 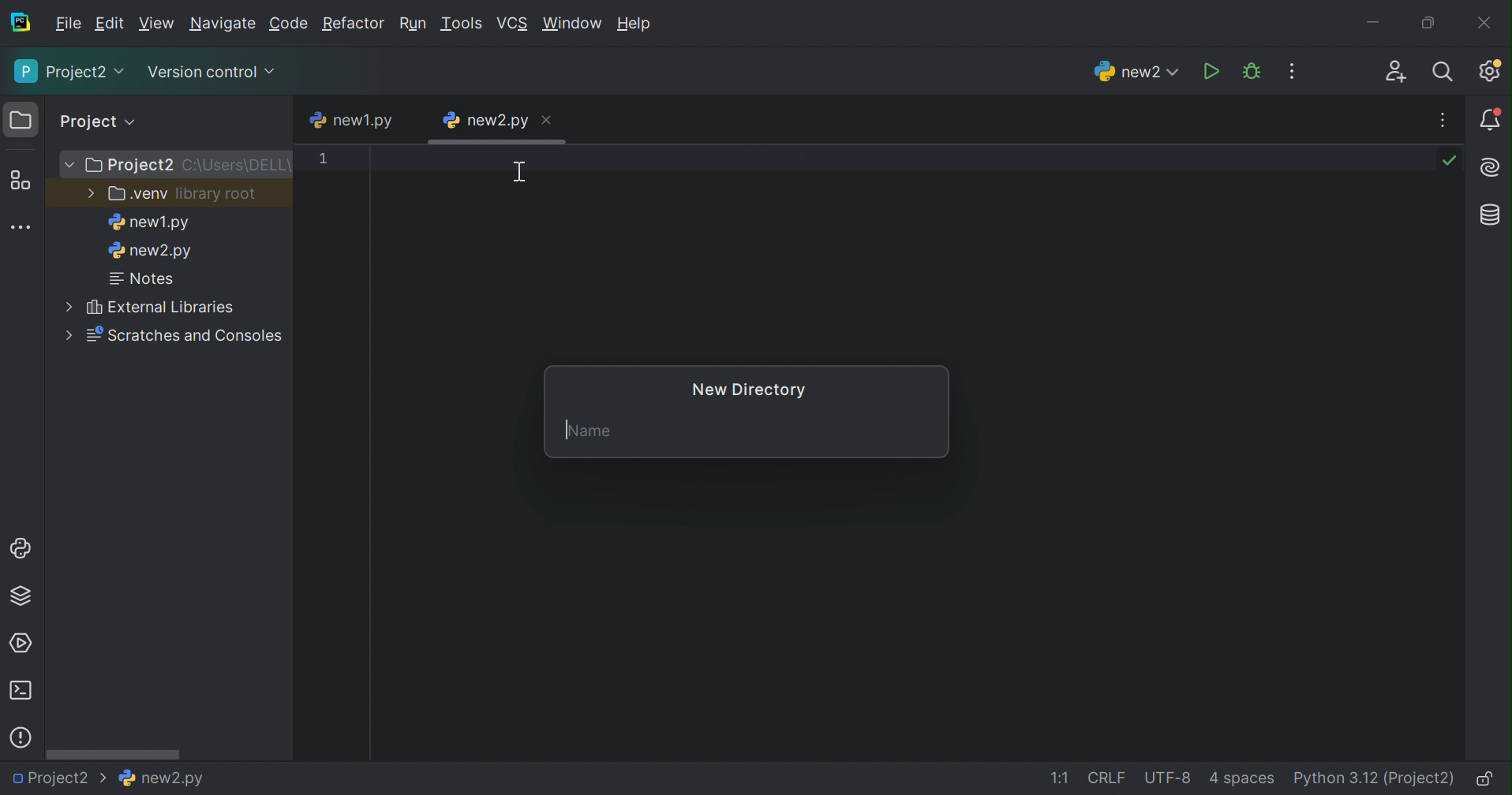 What do you see at coordinates (68, 73) in the screenshot?
I see `Project2` at bounding box center [68, 73].